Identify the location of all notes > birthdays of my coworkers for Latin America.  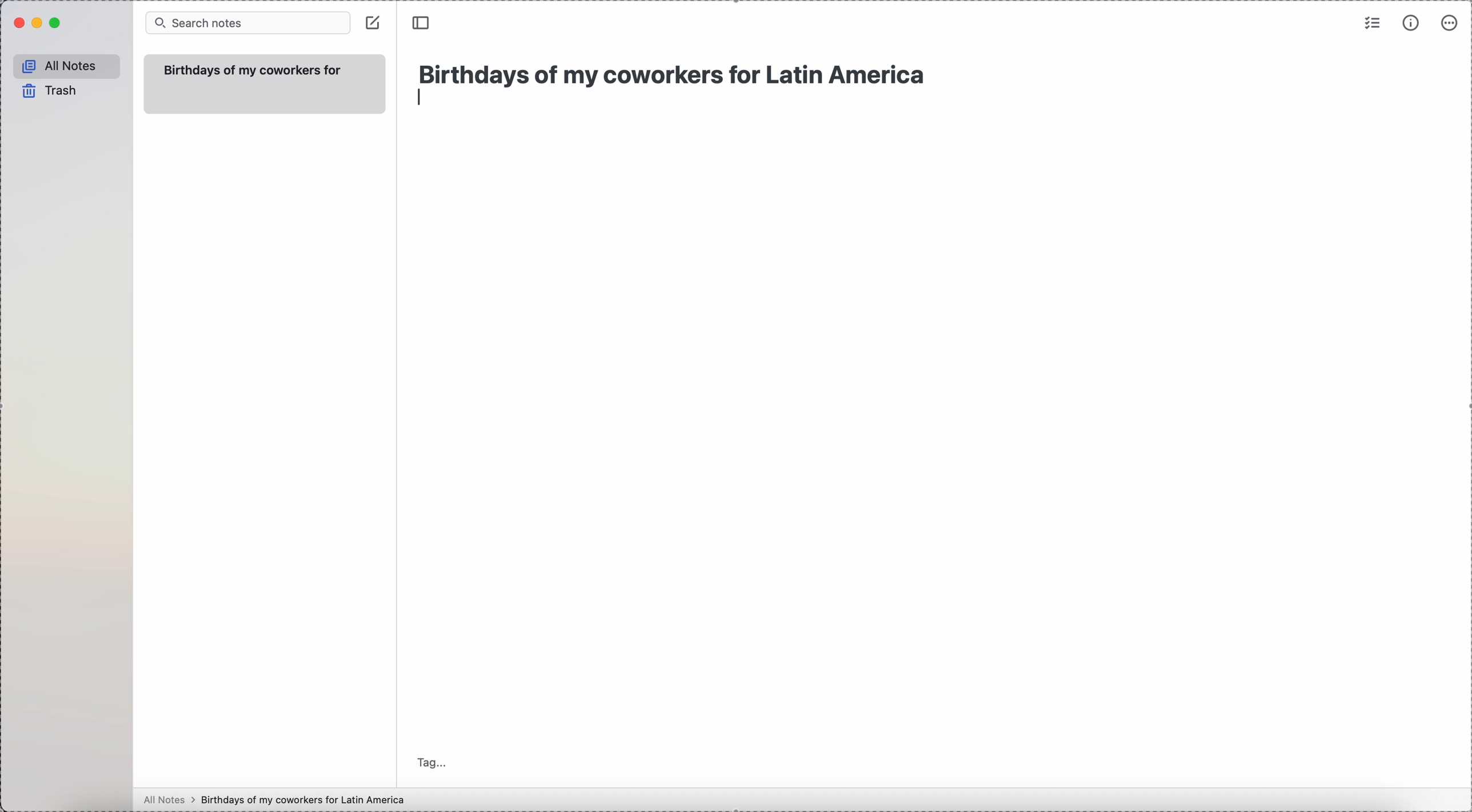
(277, 799).